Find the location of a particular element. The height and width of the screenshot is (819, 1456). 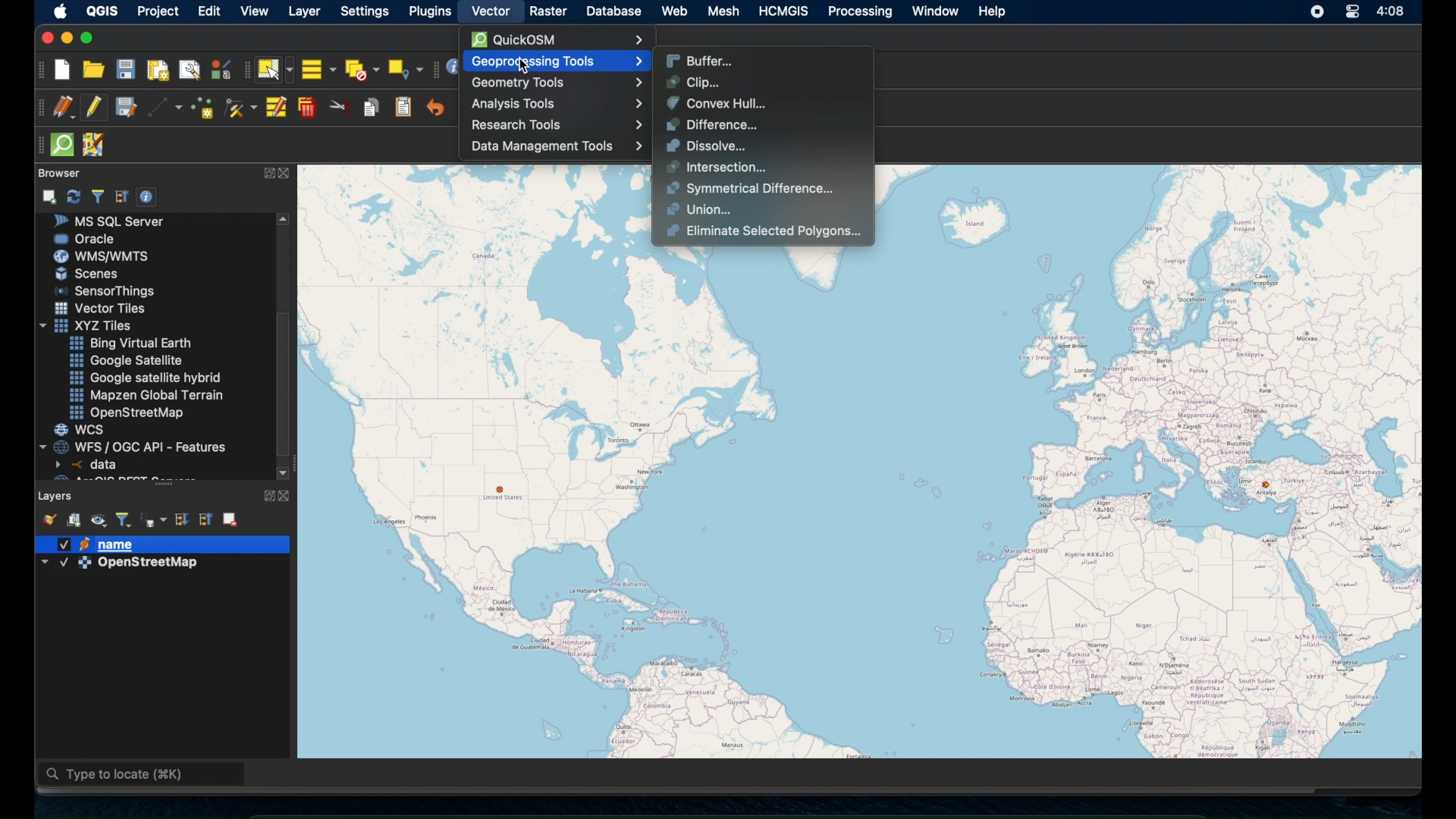

QGIS is located at coordinates (102, 10).